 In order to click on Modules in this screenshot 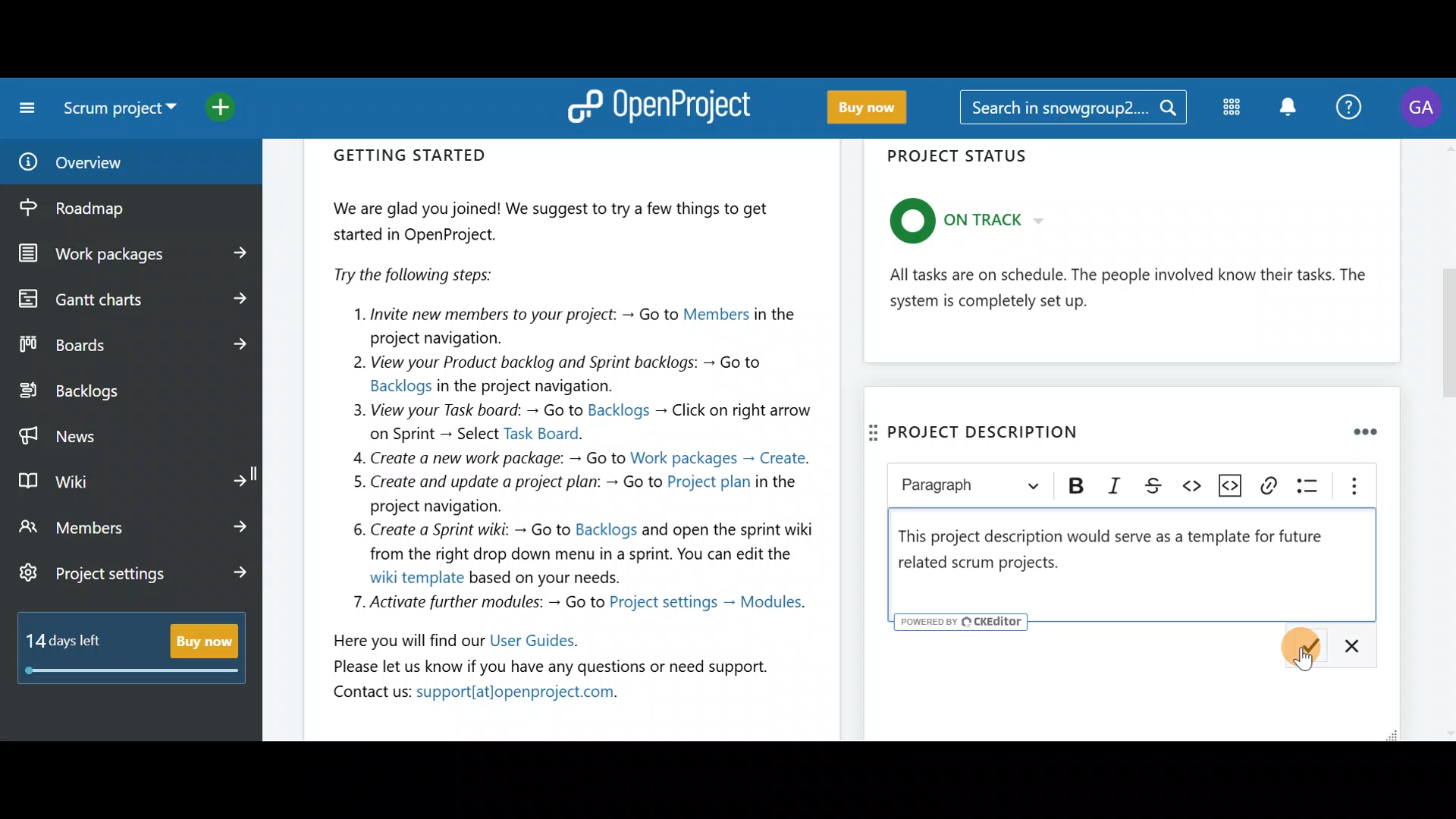, I will do `click(1228, 111)`.